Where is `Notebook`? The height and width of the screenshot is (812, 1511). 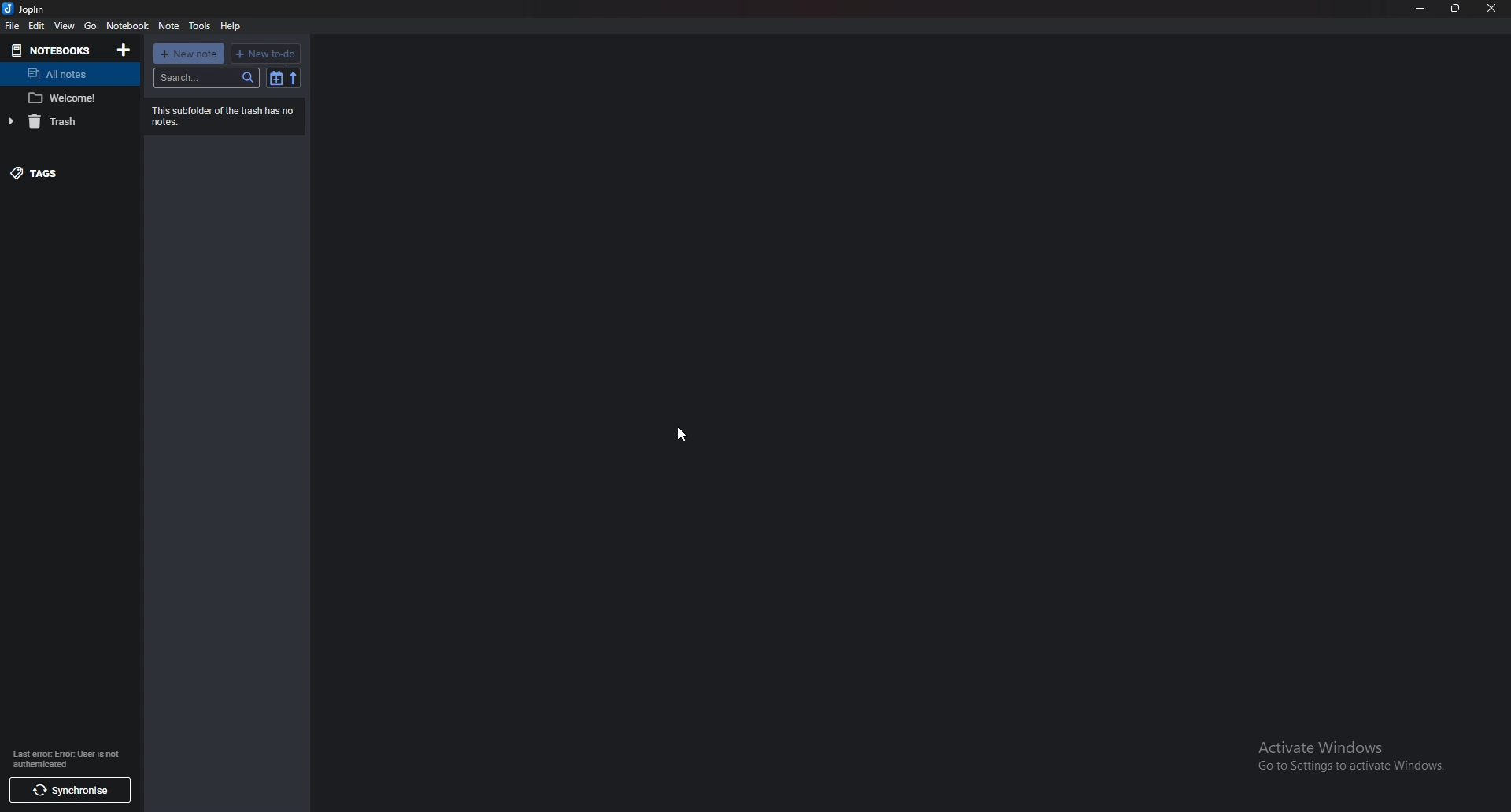 Notebook is located at coordinates (51, 50).